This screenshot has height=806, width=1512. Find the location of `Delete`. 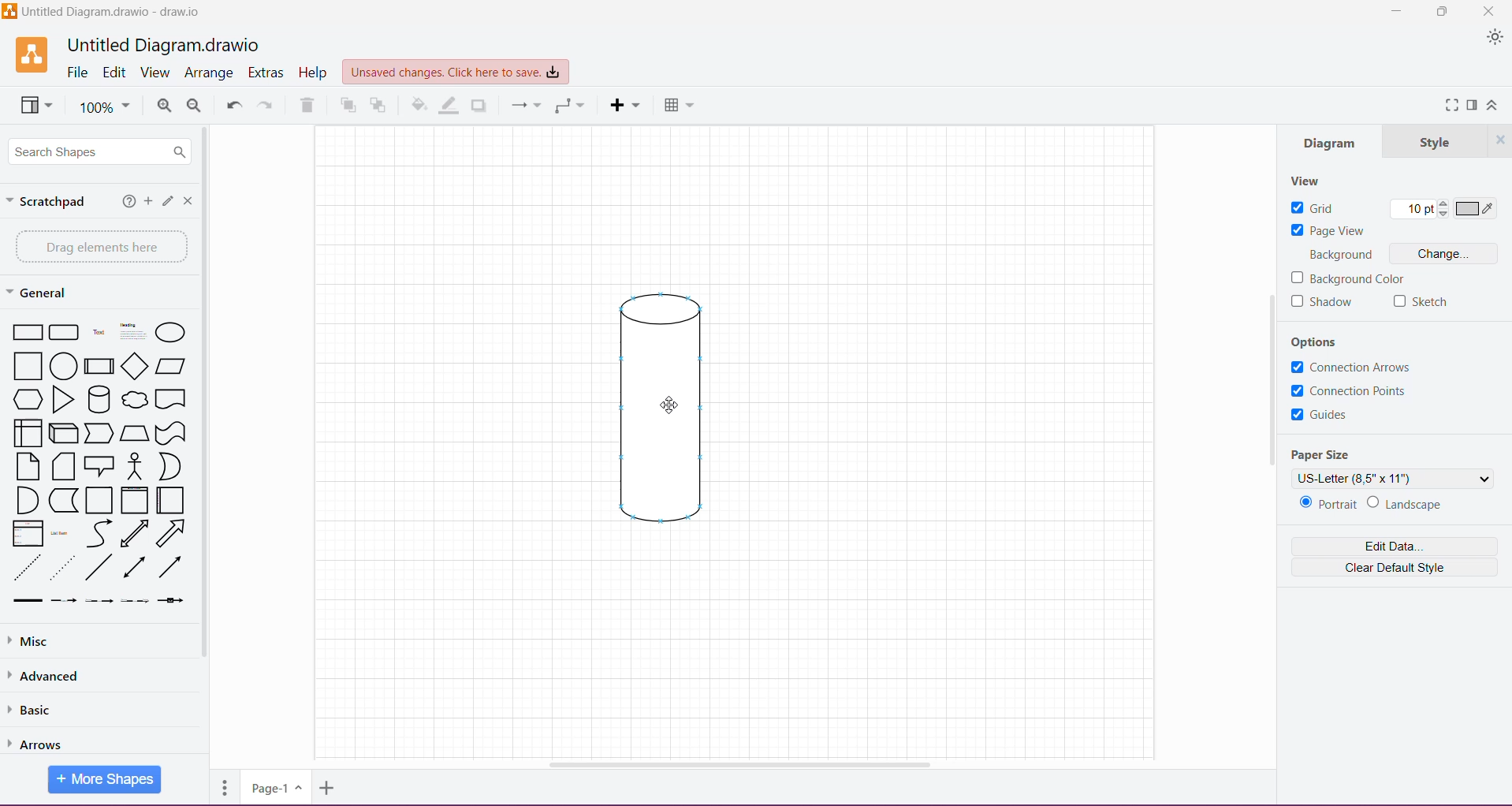

Delete is located at coordinates (311, 105).